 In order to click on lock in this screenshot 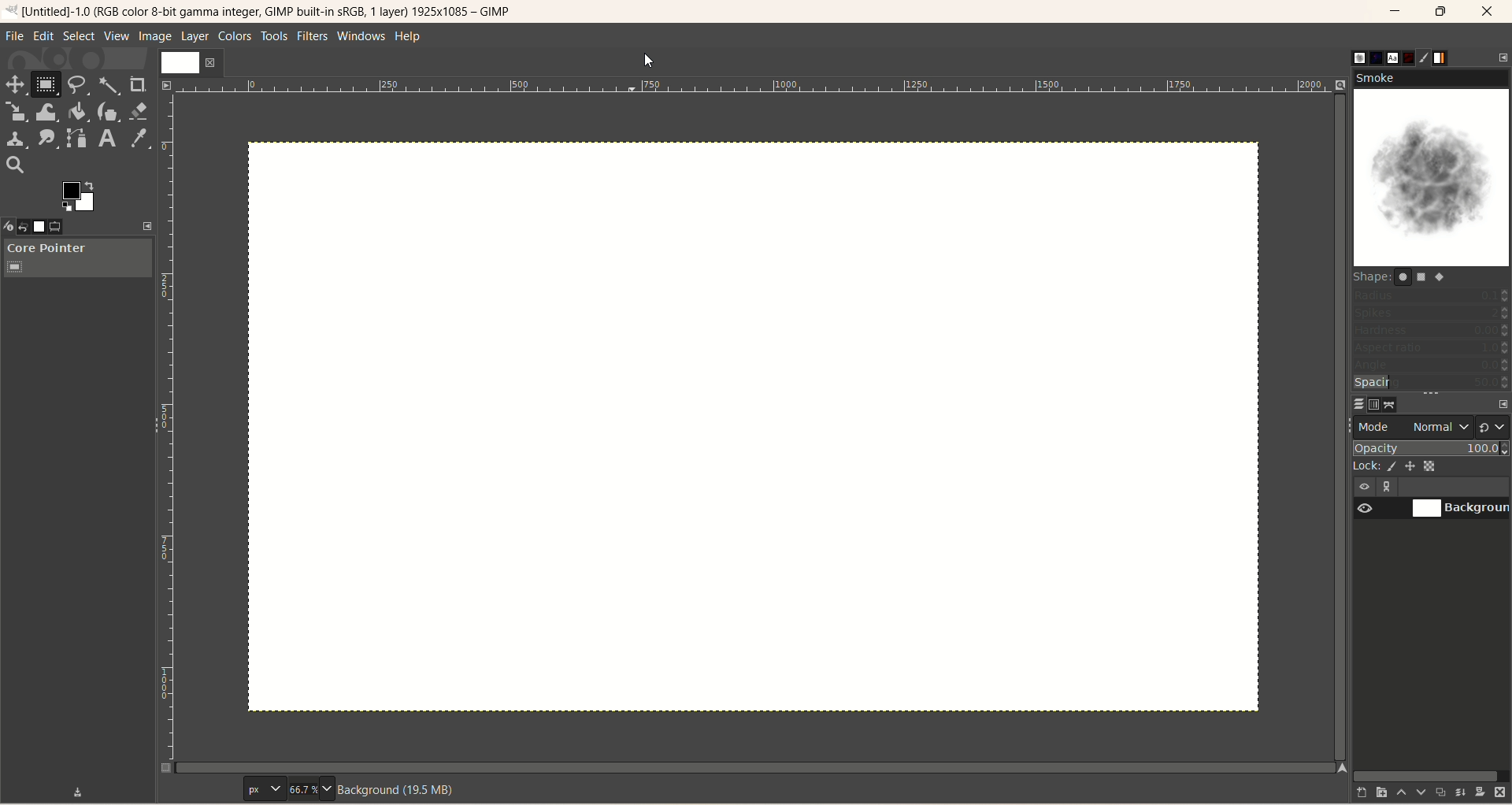, I will do `click(1362, 465)`.